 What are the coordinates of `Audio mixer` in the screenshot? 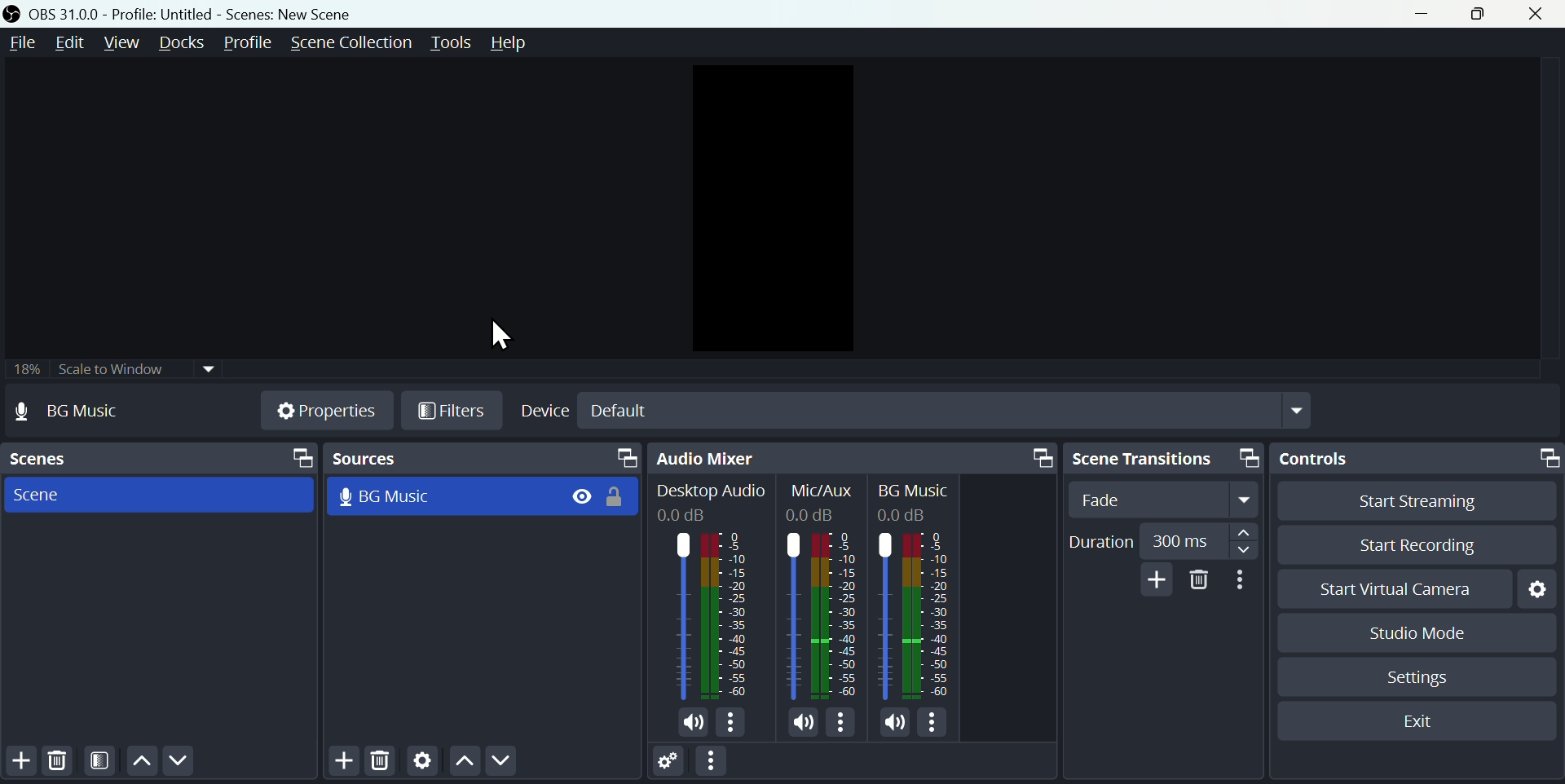 It's located at (850, 457).